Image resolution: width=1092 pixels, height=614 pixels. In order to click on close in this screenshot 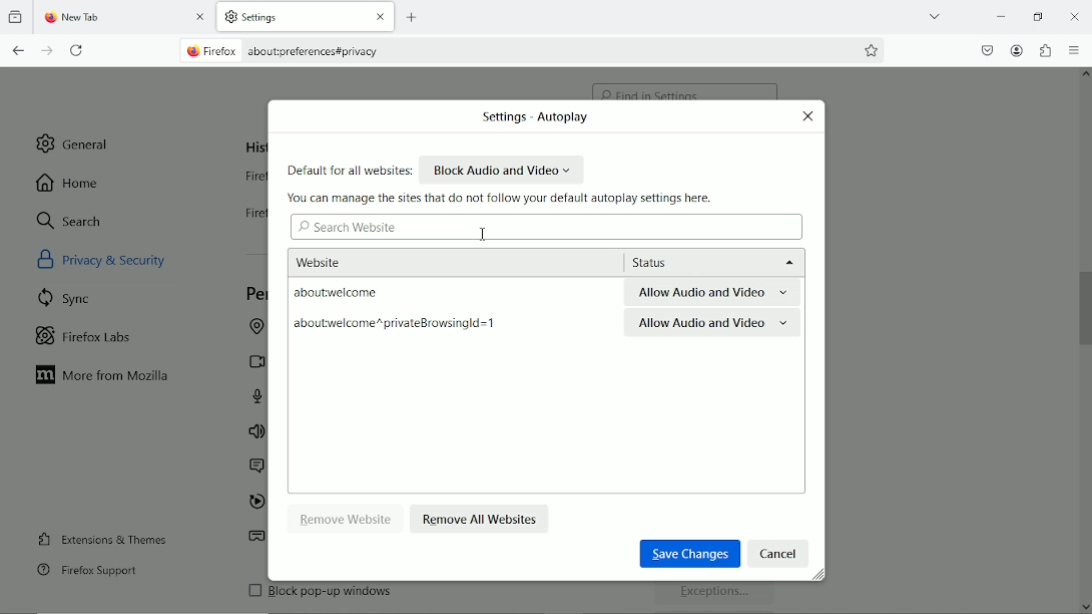, I will do `click(808, 116)`.